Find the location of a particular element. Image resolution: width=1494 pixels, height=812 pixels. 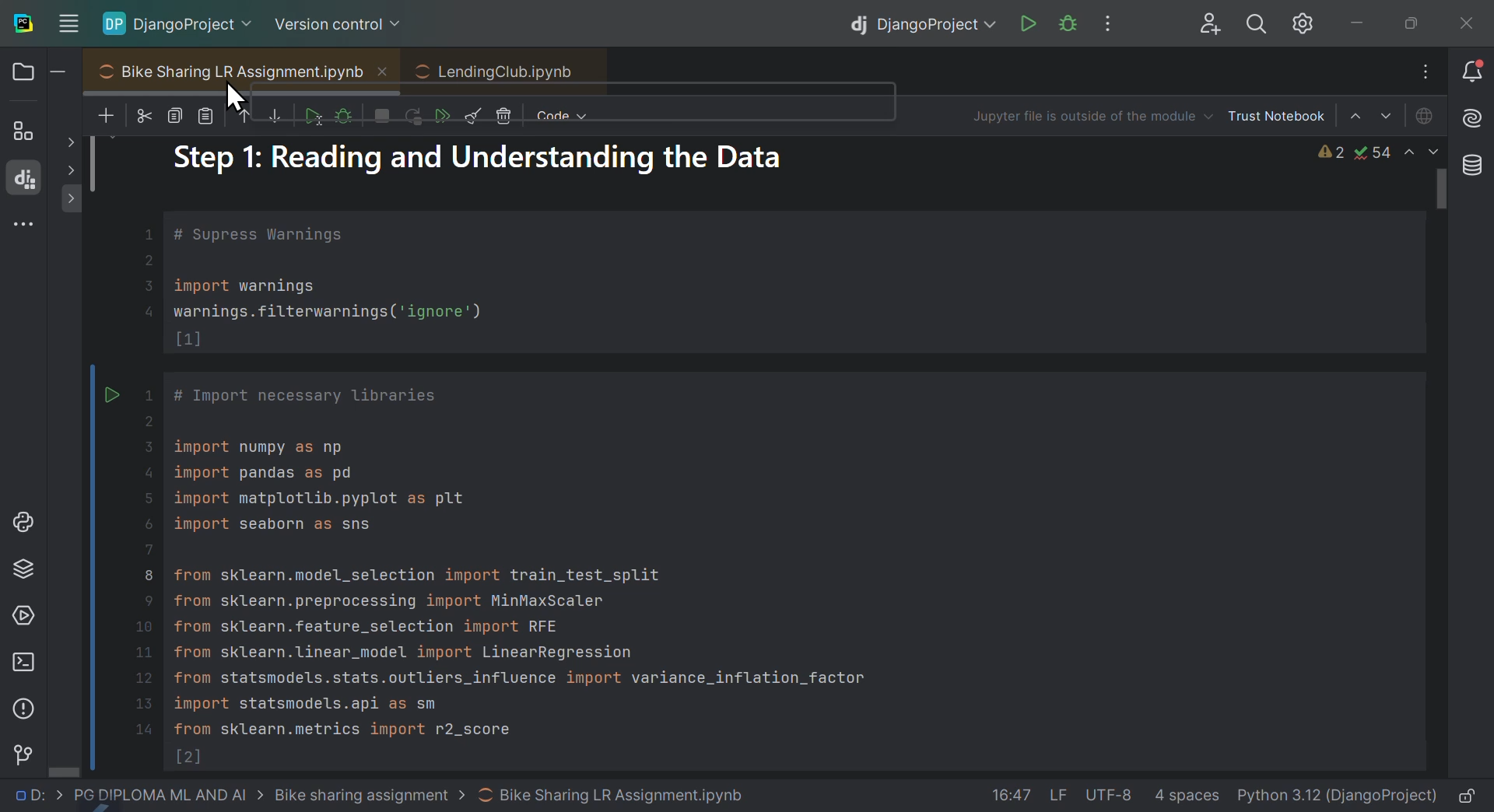

Code is located at coordinates (570, 114).